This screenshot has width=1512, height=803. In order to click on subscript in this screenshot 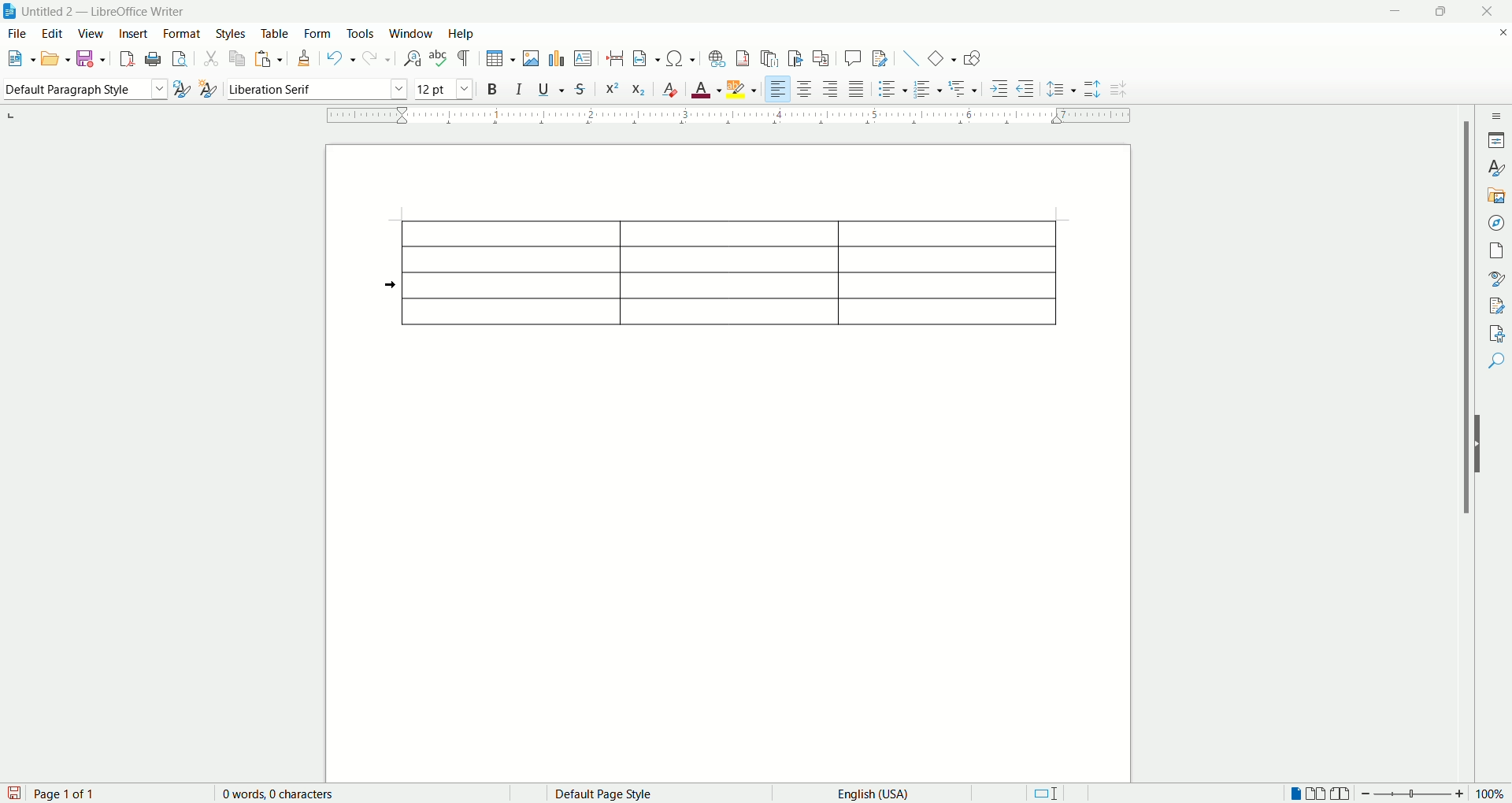, I will do `click(638, 89)`.